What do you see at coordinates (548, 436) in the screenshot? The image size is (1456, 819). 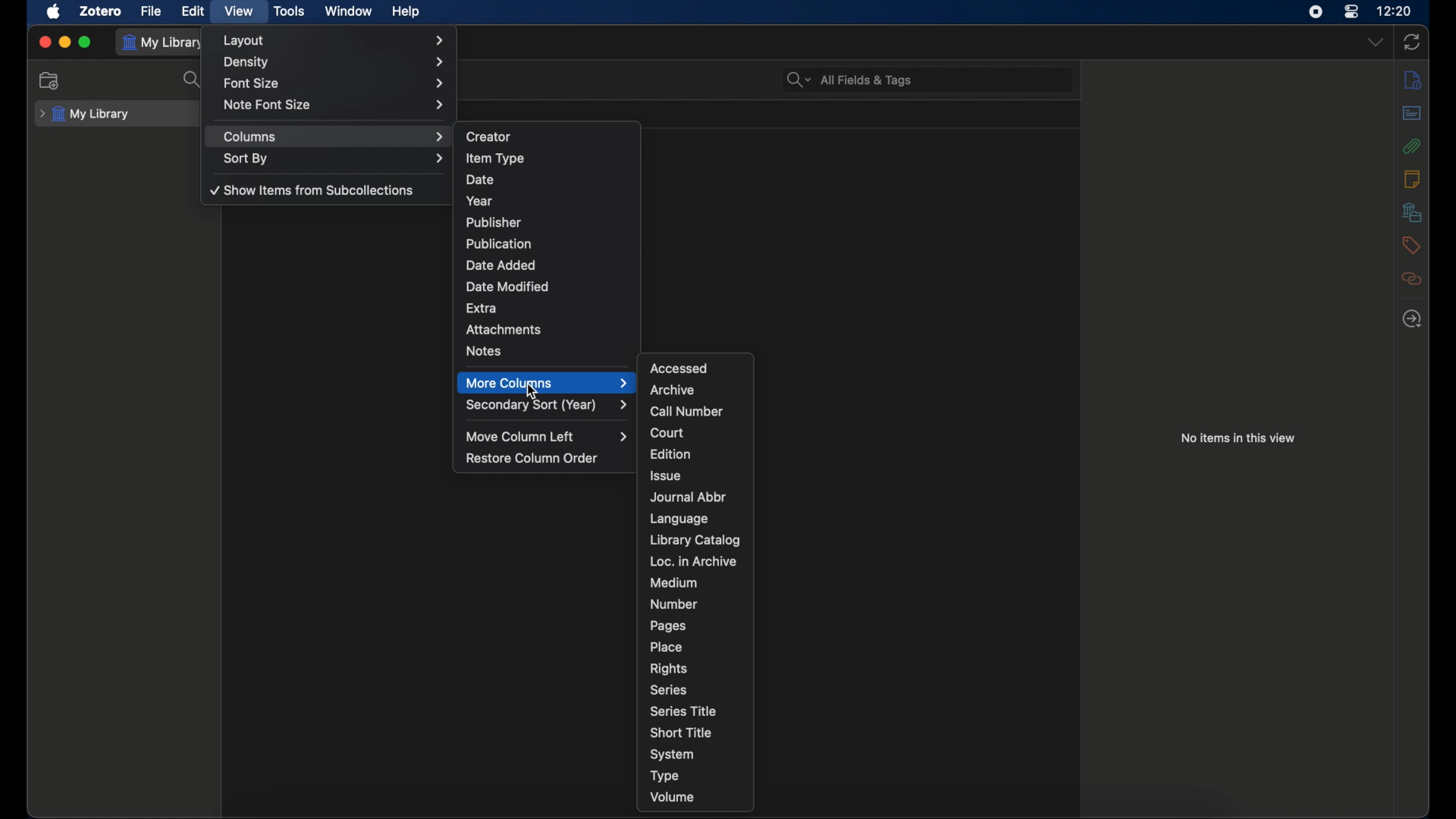 I see `move column left` at bounding box center [548, 436].